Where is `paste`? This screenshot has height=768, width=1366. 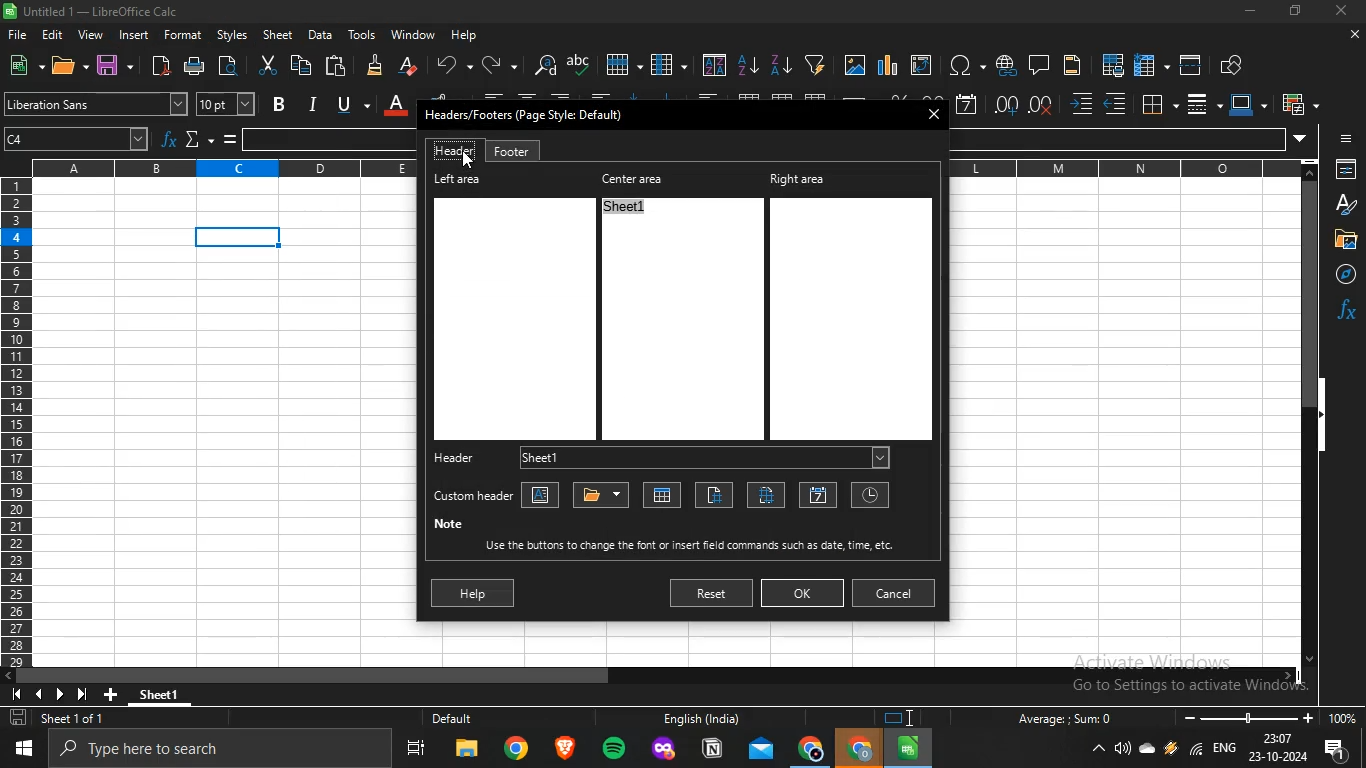 paste is located at coordinates (337, 64).